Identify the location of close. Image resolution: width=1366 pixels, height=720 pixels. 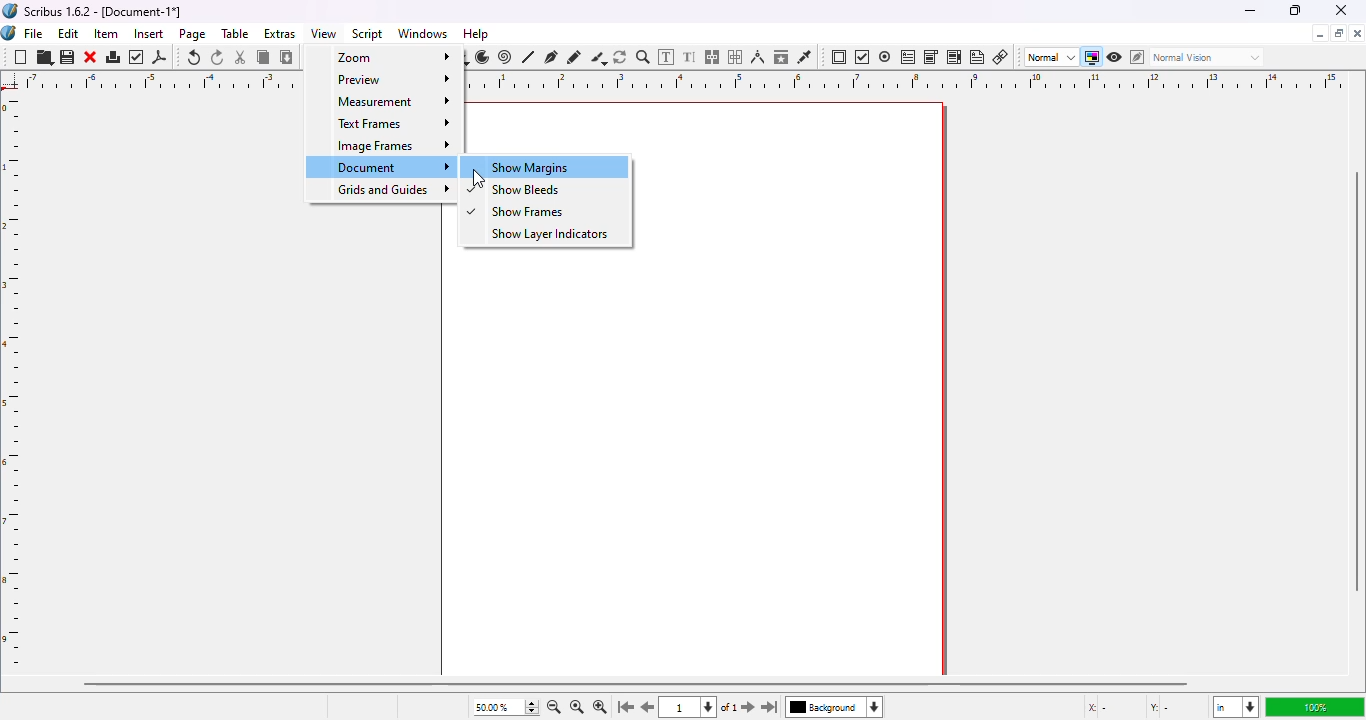
(1342, 10).